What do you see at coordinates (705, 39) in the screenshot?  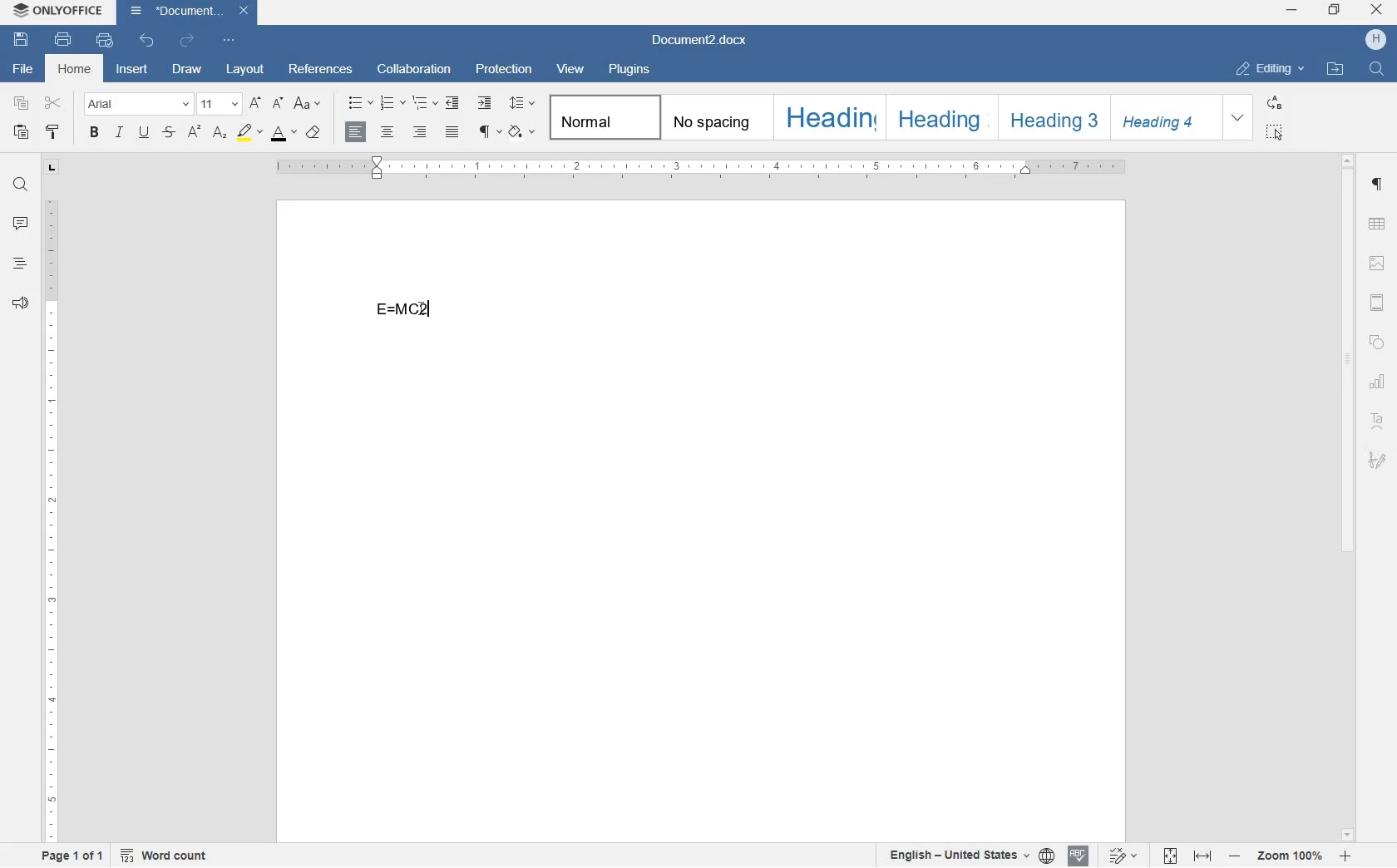 I see `file name` at bounding box center [705, 39].